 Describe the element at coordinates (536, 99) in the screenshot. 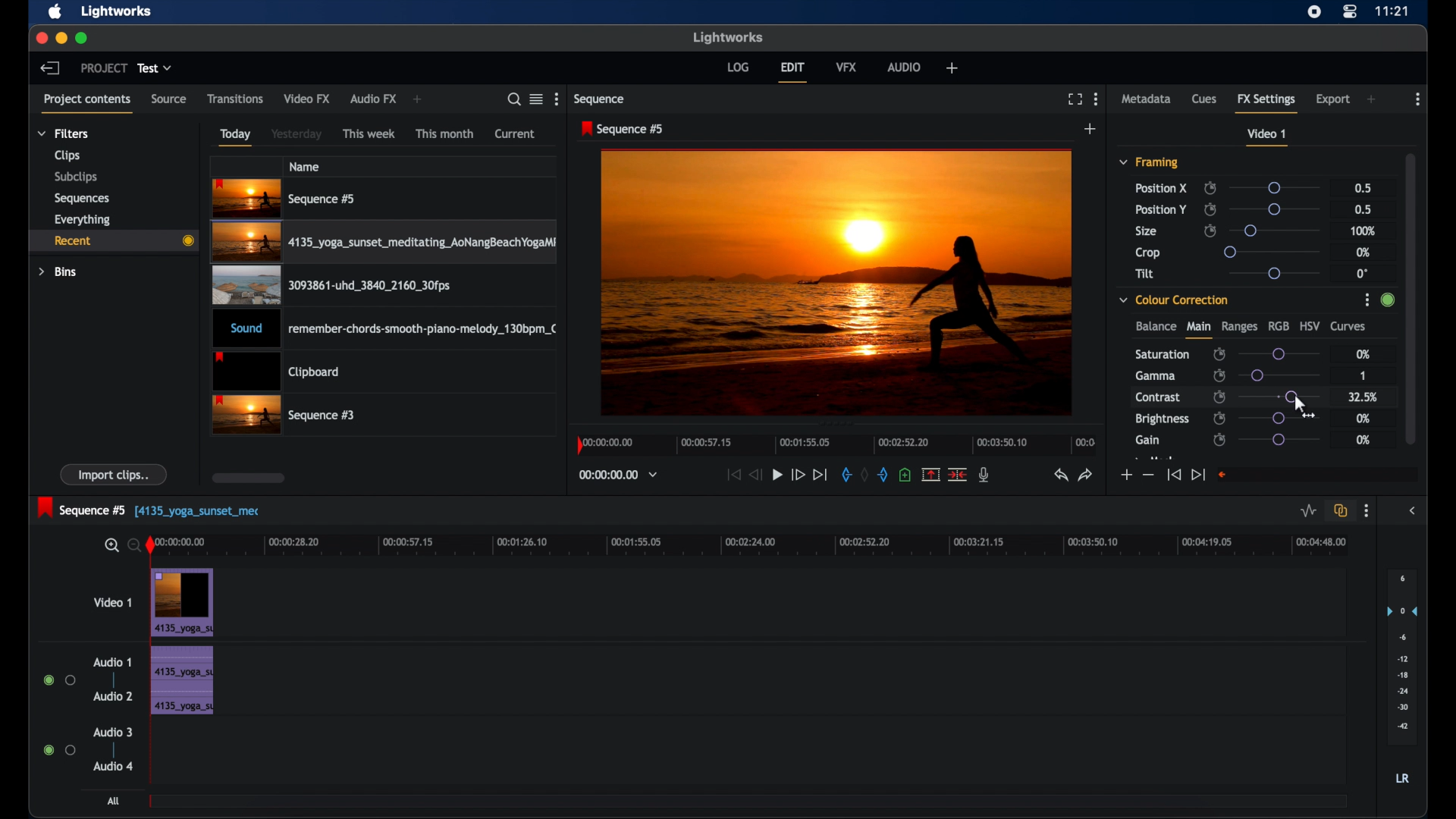

I see `toggle list or tile view` at that location.